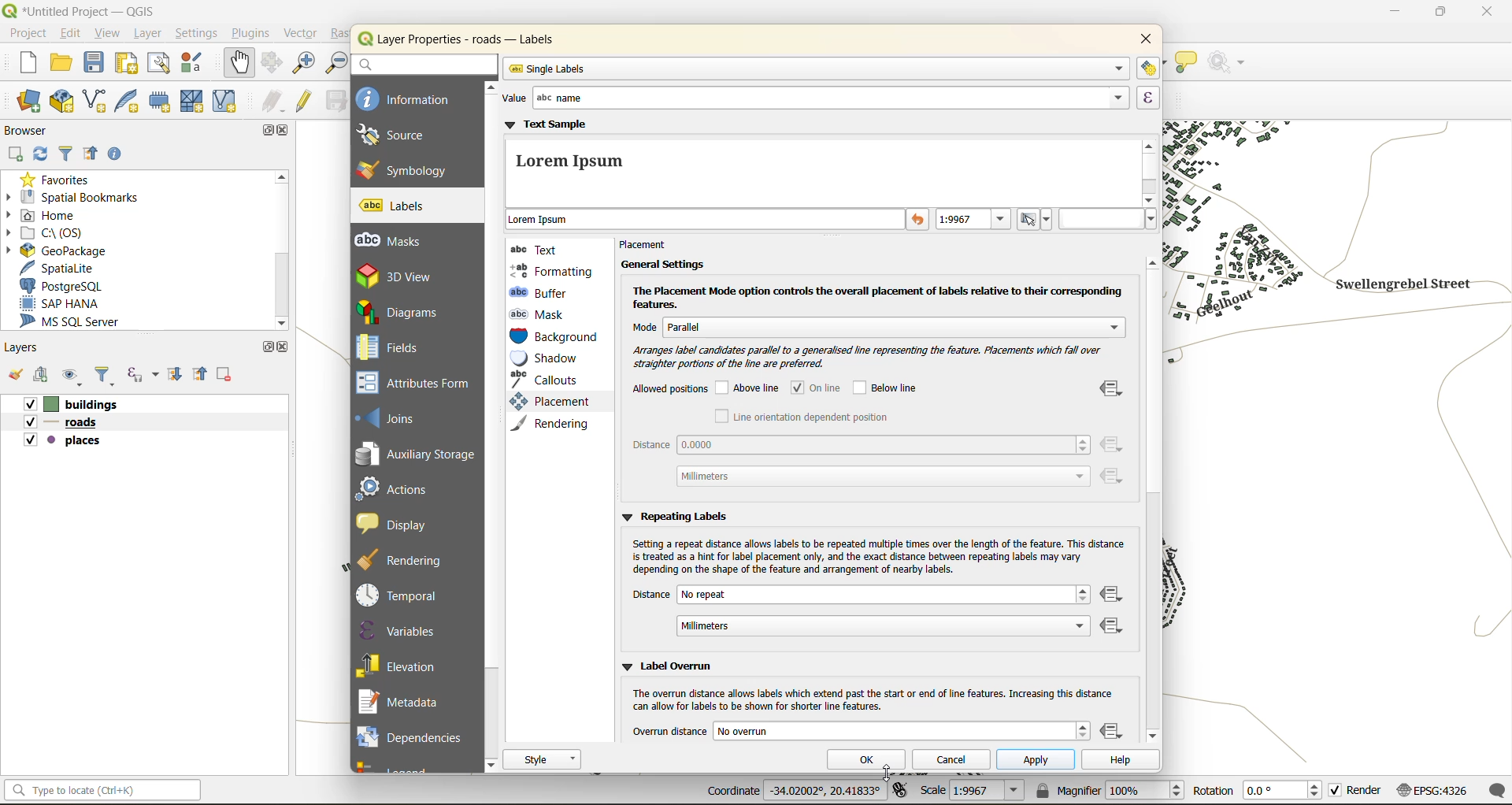 The width and height of the screenshot is (1512, 805). I want to click on spatialite, so click(59, 269).